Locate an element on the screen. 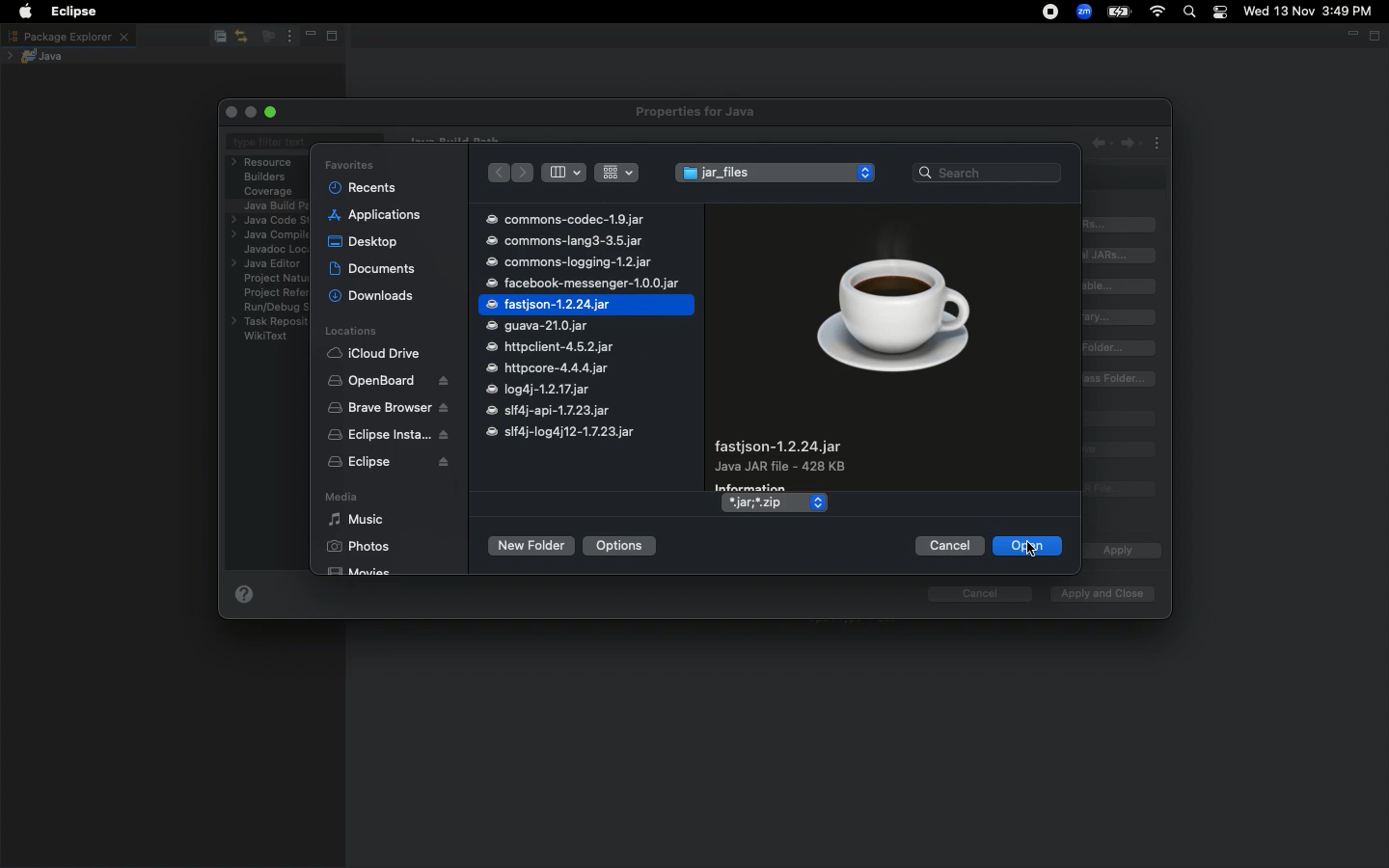 The height and width of the screenshot is (868, 1389). WikiText is located at coordinates (266, 336).